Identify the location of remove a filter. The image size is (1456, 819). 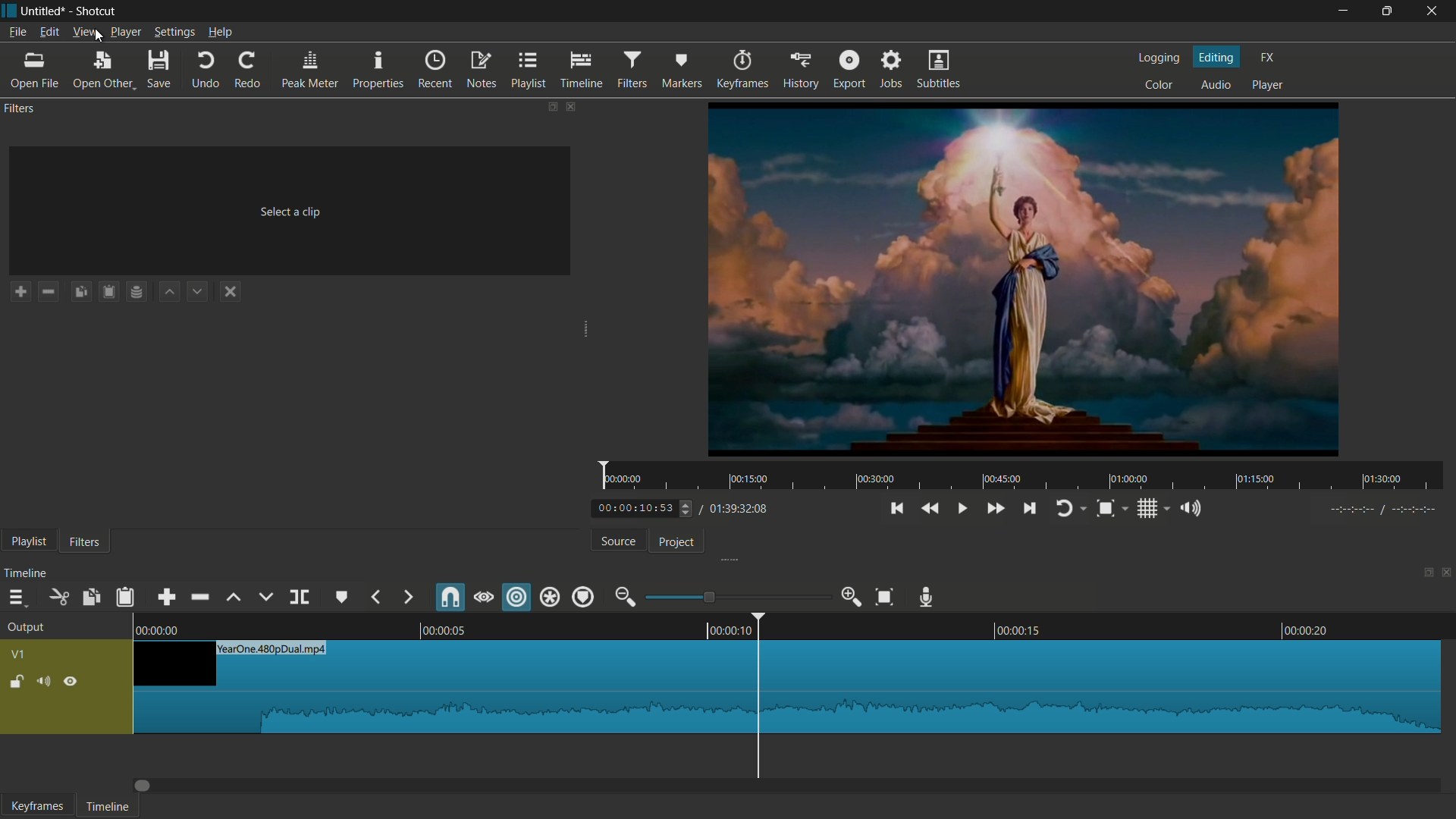
(48, 292).